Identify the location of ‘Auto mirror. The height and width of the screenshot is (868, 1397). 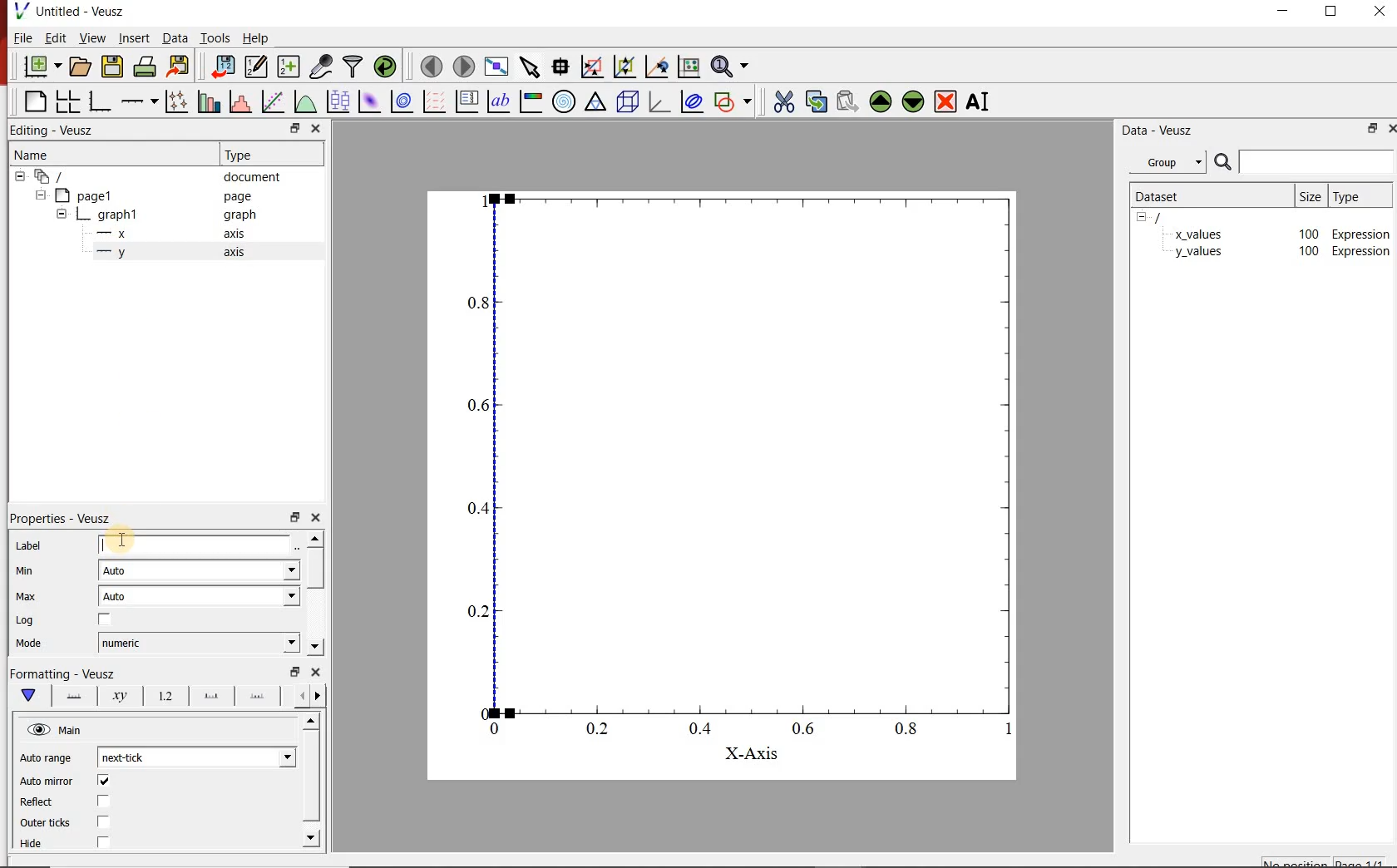
(48, 780).